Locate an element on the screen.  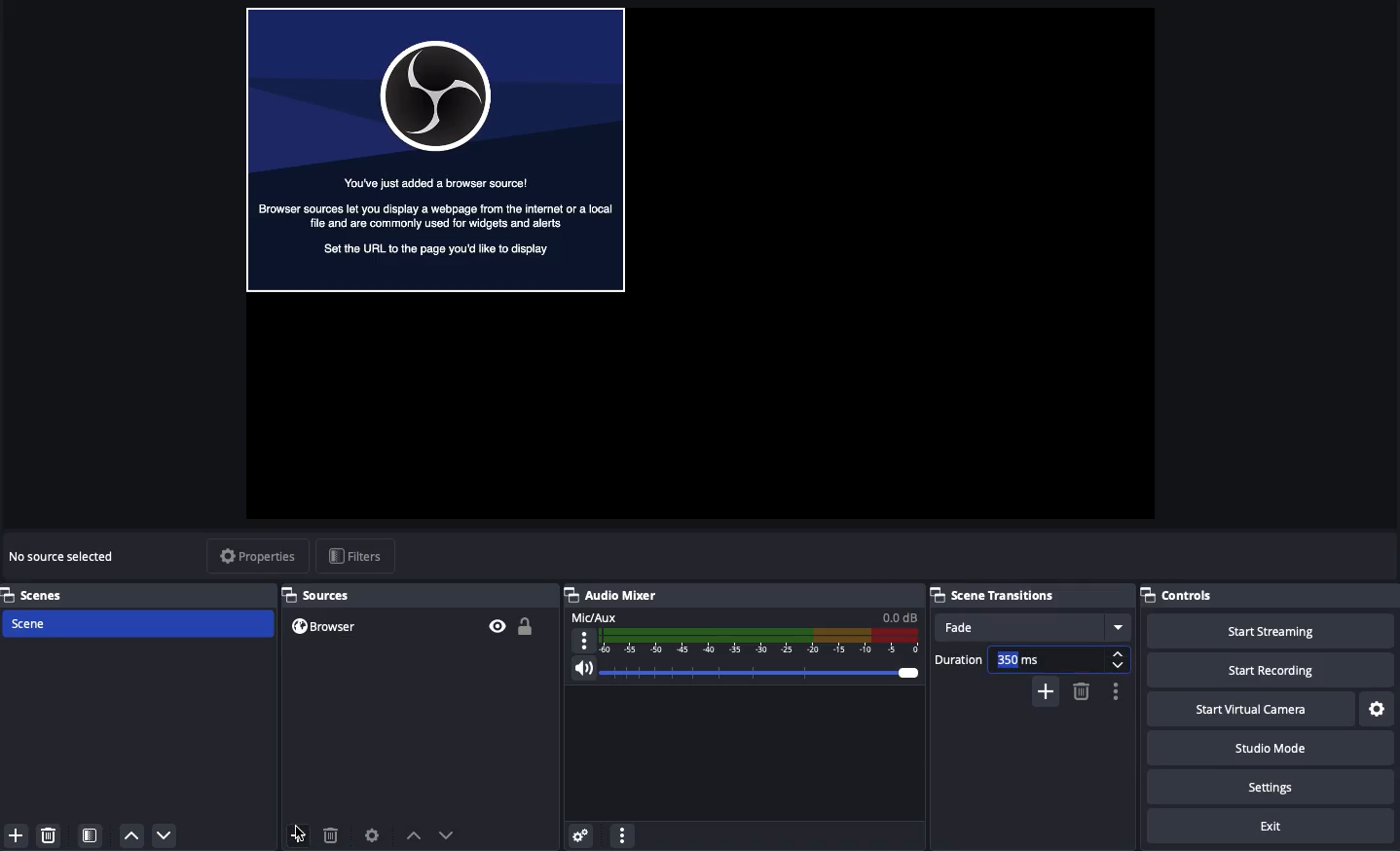
Filters is located at coordinates (356, 557).